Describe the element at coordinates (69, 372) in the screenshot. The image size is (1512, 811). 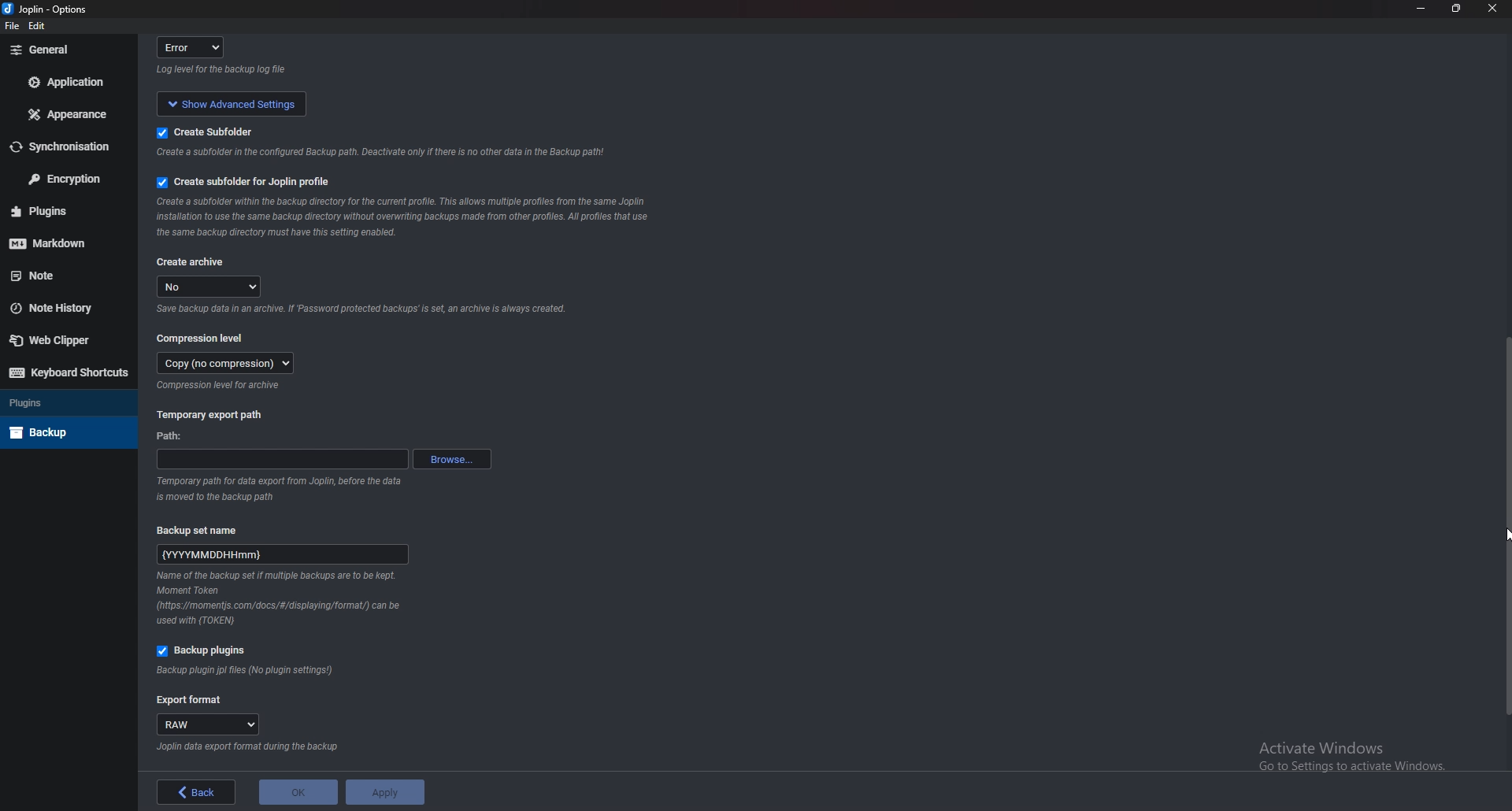
I see `Keyboard shortcuts` at that location.